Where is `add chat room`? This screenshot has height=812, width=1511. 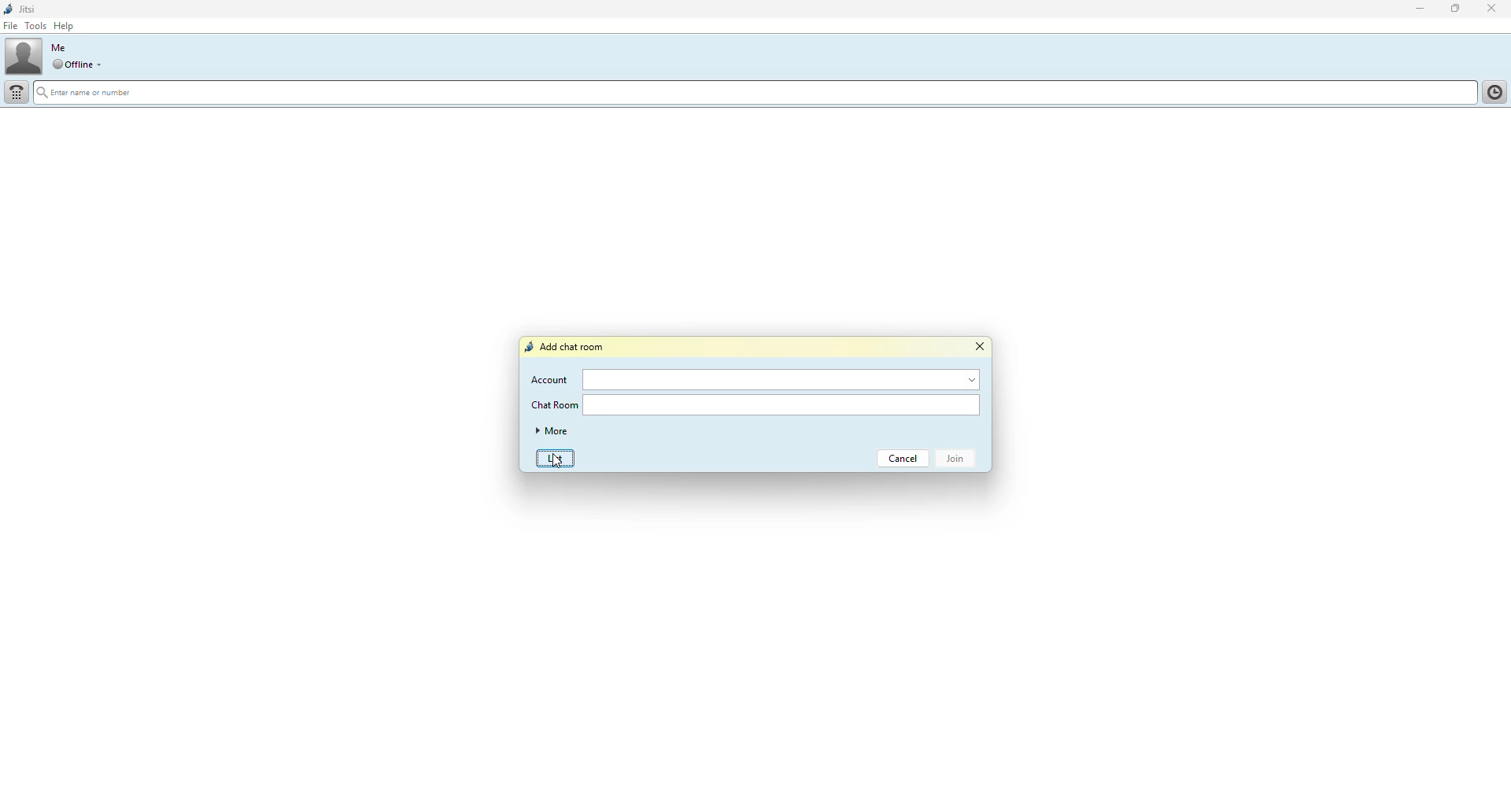
add chat room is located at coordinates (567, 345).